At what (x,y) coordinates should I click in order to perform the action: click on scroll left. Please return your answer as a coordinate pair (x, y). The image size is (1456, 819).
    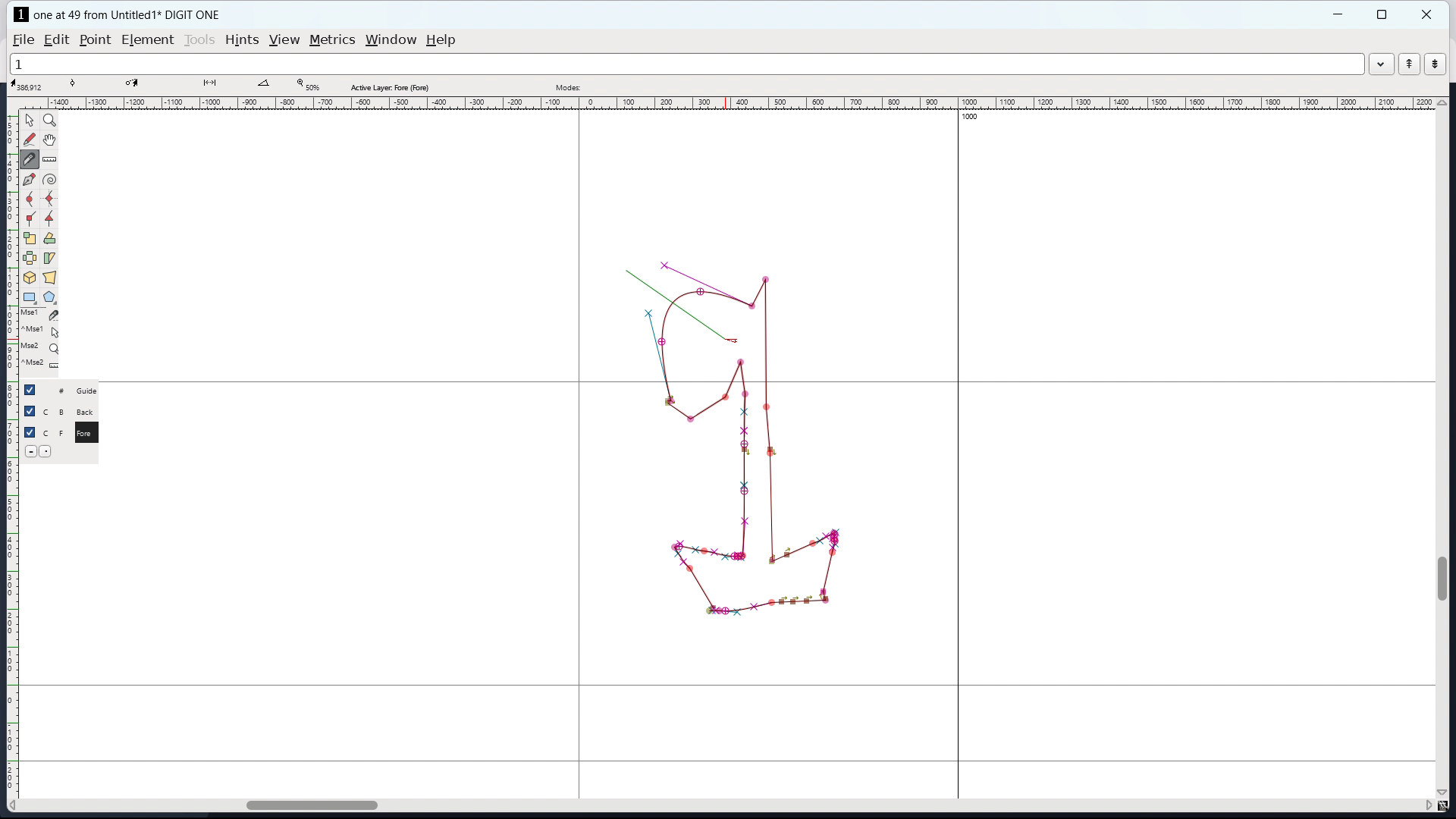
    Looking at the image, I should click on (16, 805).